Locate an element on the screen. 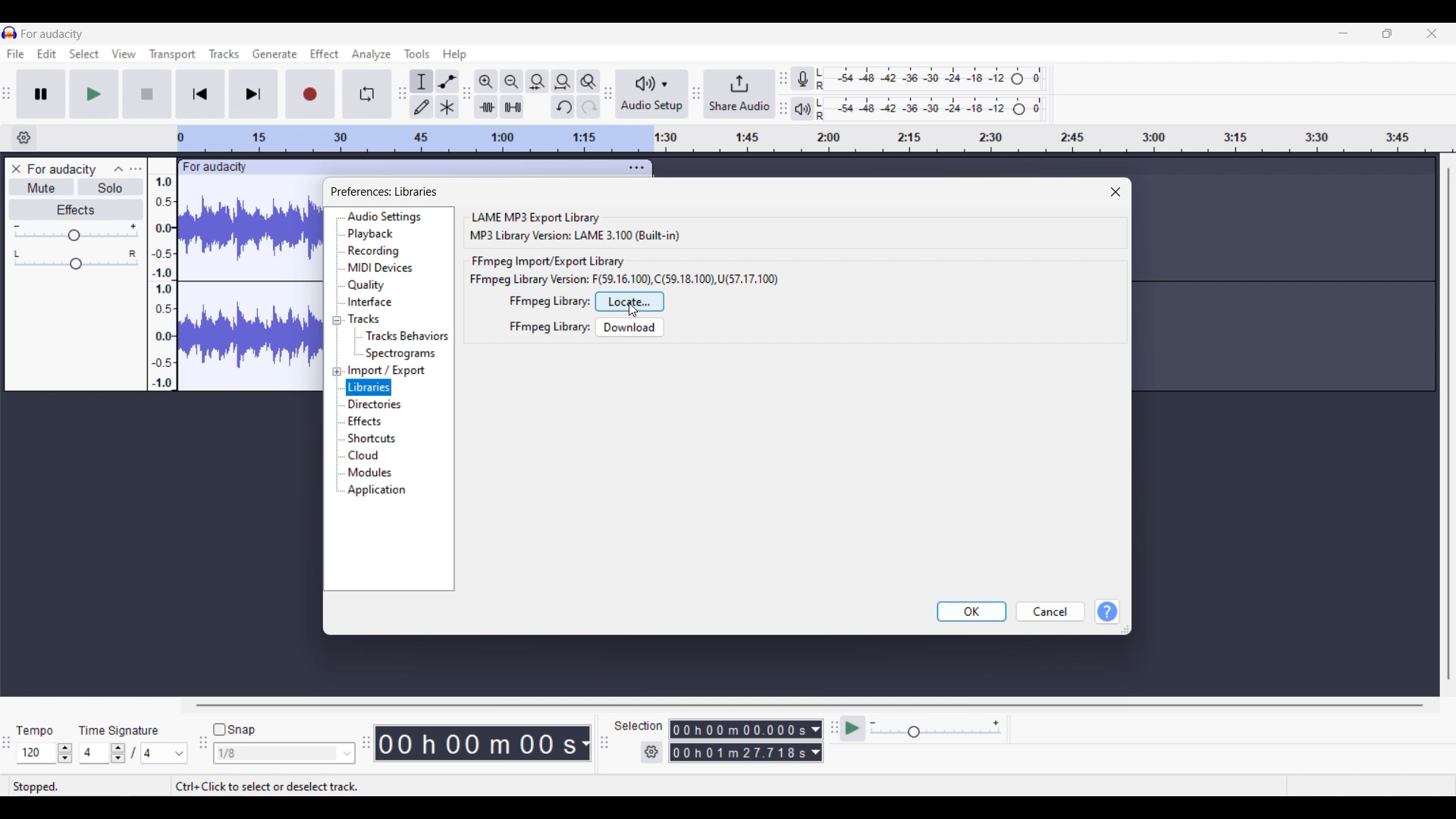  Tracks behaviours  is located at coordinates (407, 337).